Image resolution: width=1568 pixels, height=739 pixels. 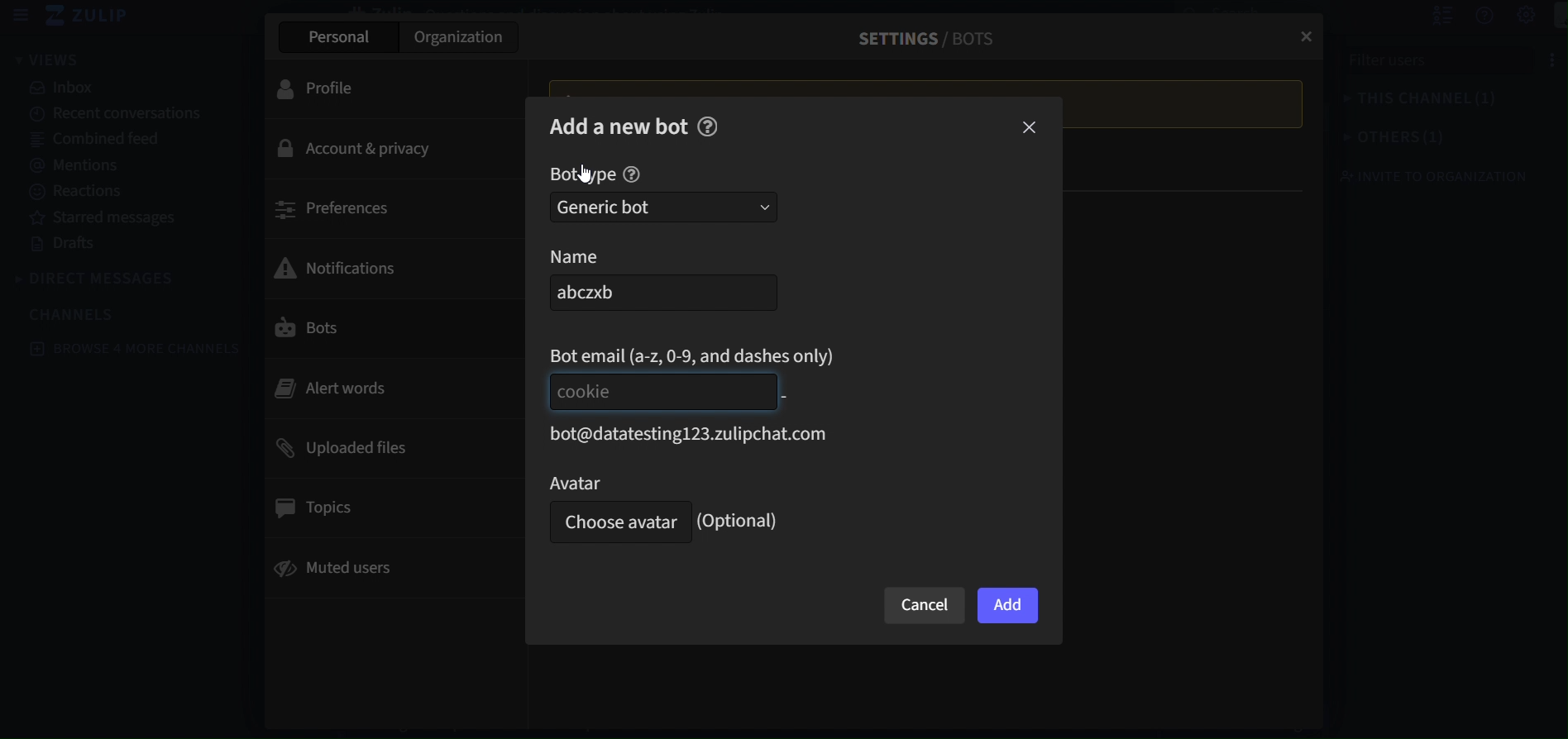 I want to click on close, so click(x=1031, y=129).